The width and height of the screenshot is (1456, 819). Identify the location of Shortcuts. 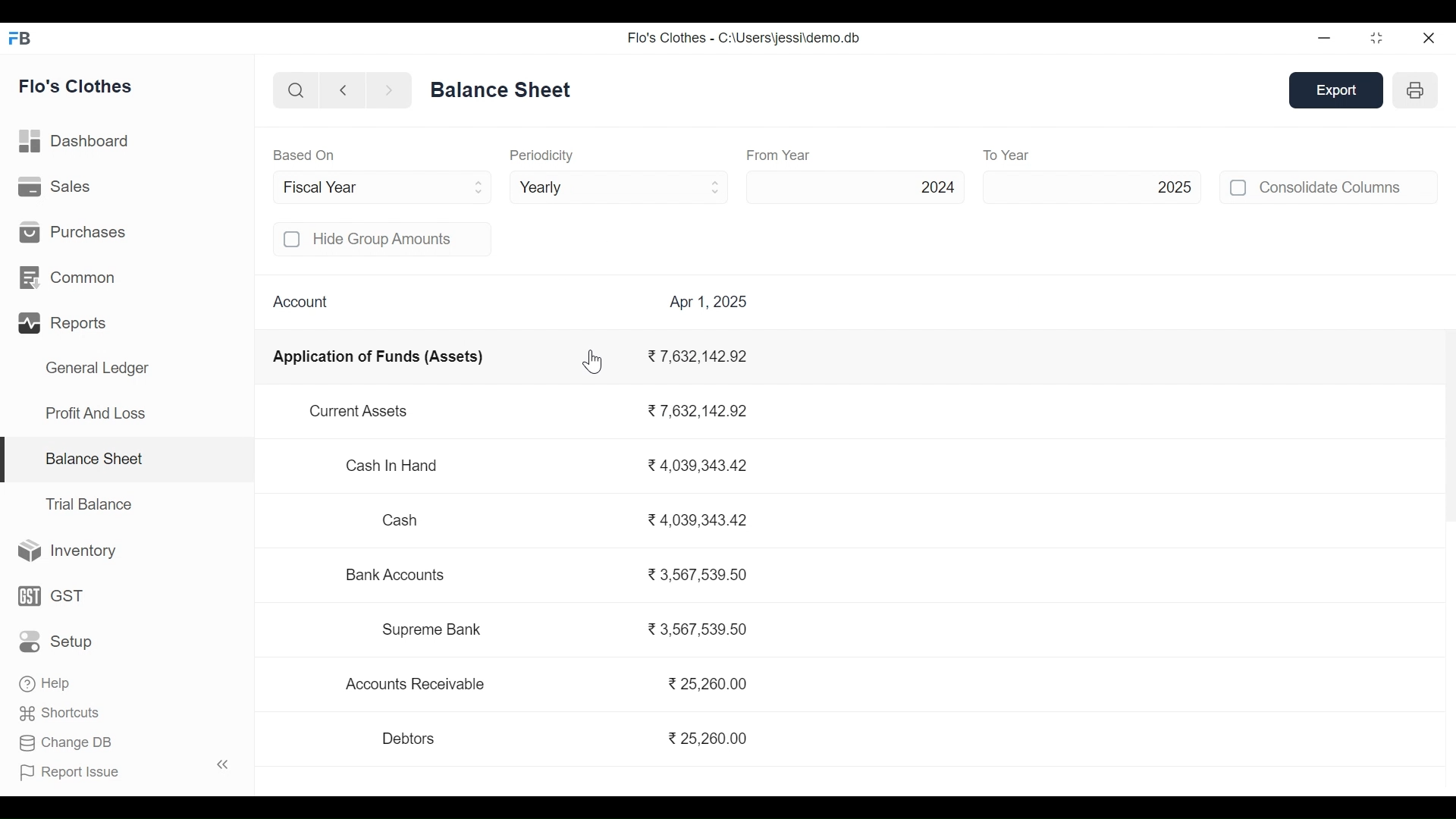
(61, 711).